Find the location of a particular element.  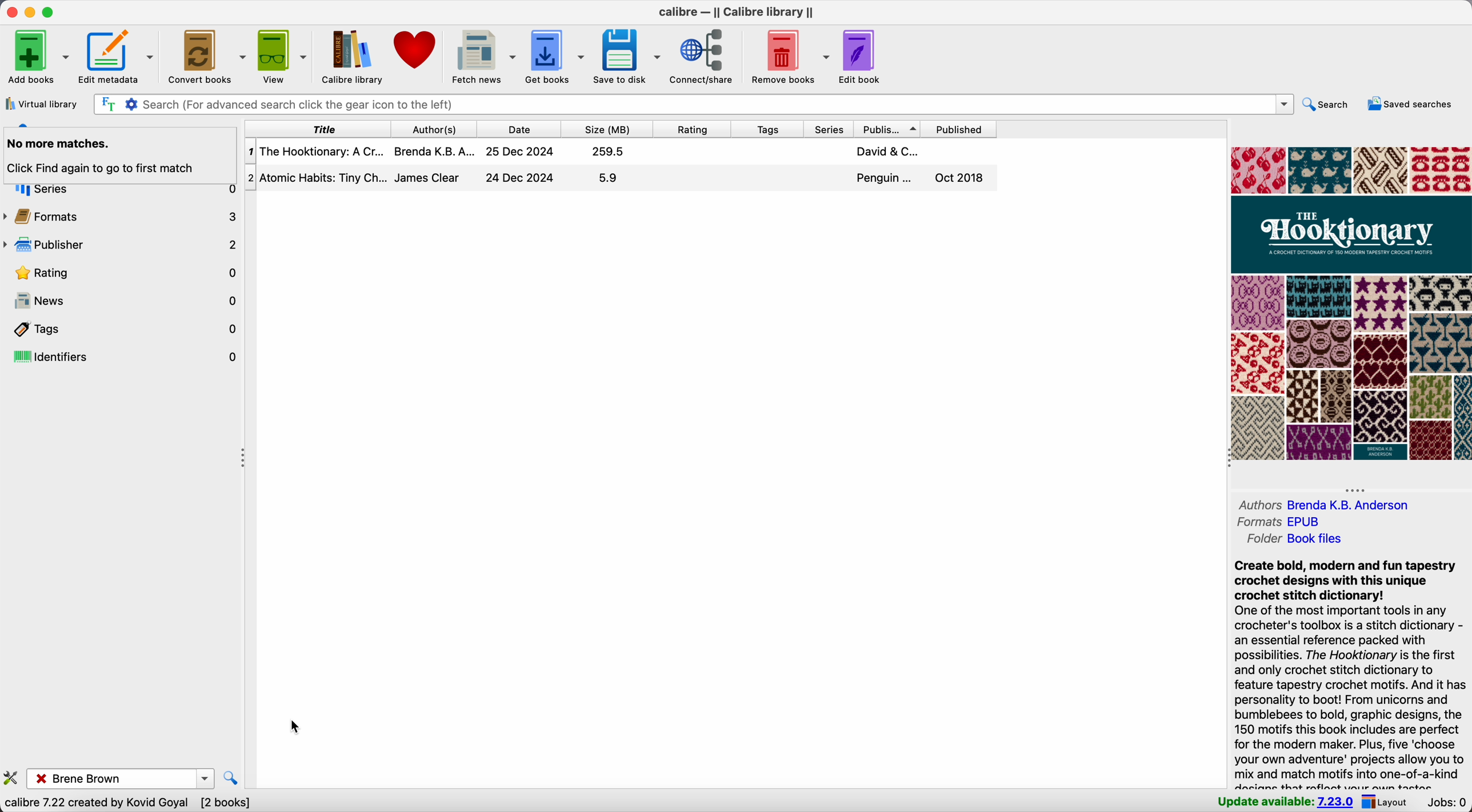

synopsis is located at coordinates (1351, 673).